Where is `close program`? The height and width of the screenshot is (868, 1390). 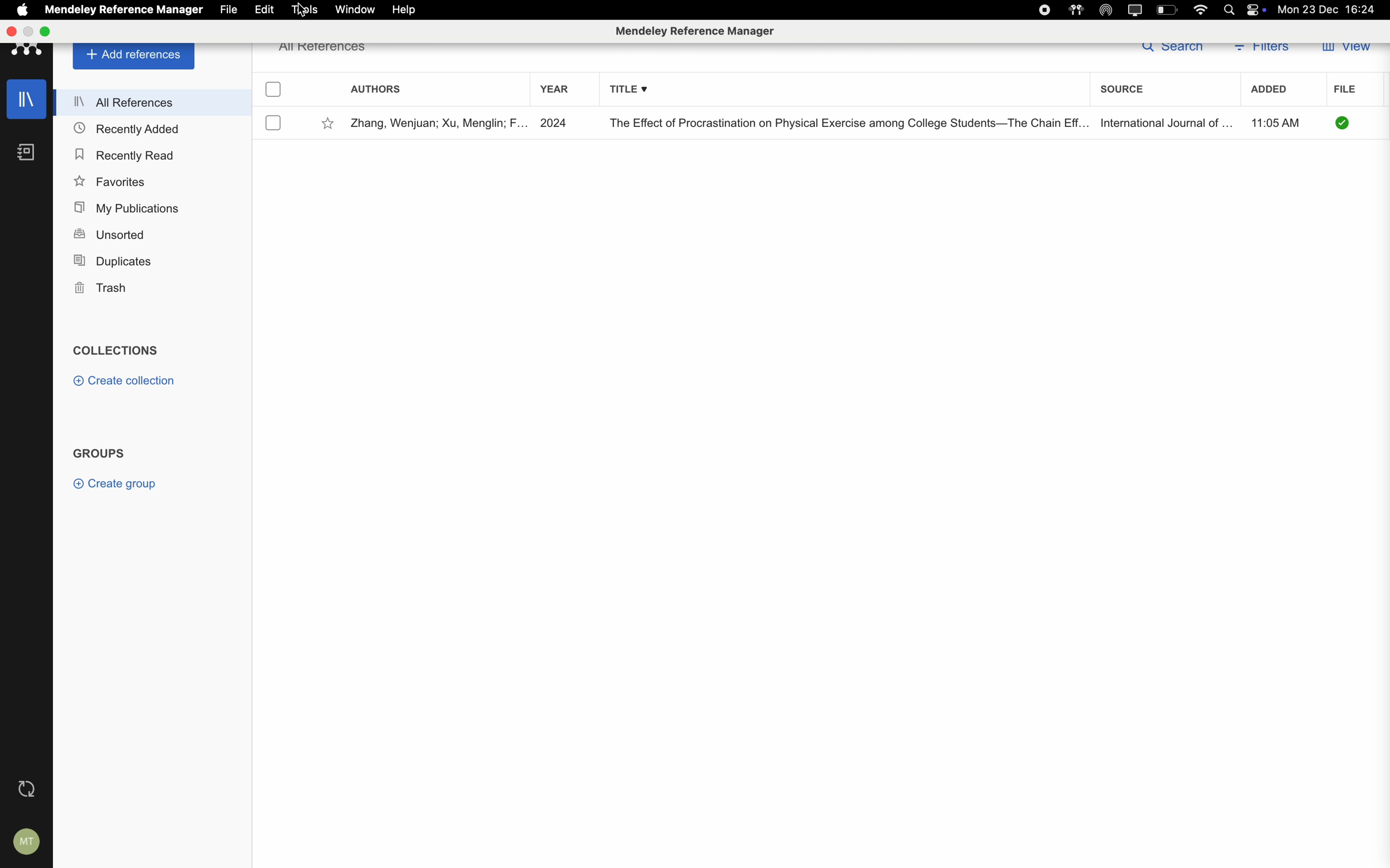
close program is located at coordinates (13, 31).